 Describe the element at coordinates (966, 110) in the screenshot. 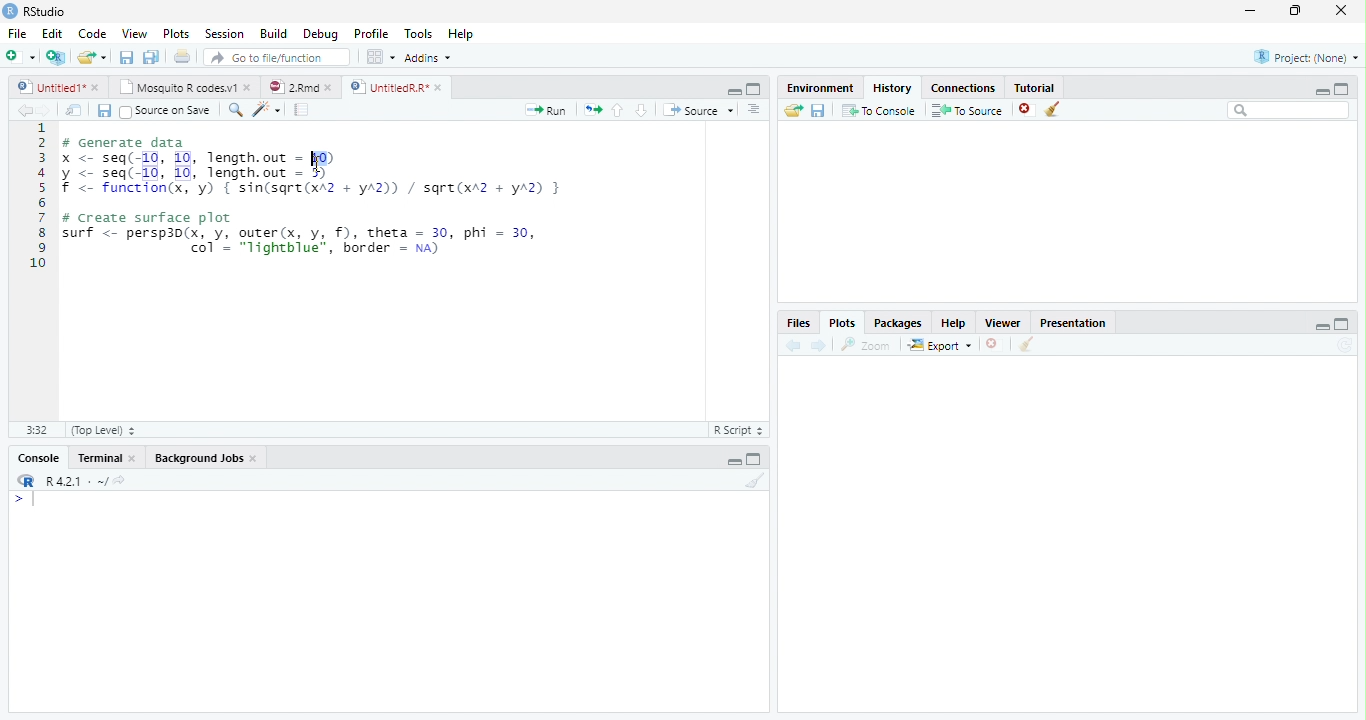

I see `To Source` at that location.